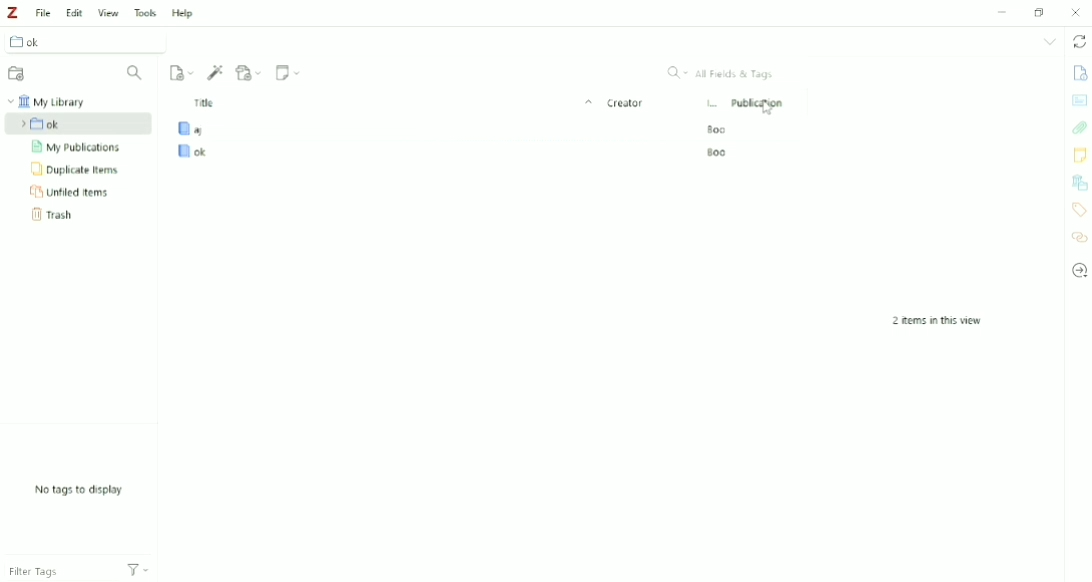 The width and height of the screenshot is (1092, 582). What do you see at coordinates (109, 13) in the screenshot?
I see `View` at bounding box center [109, 13].